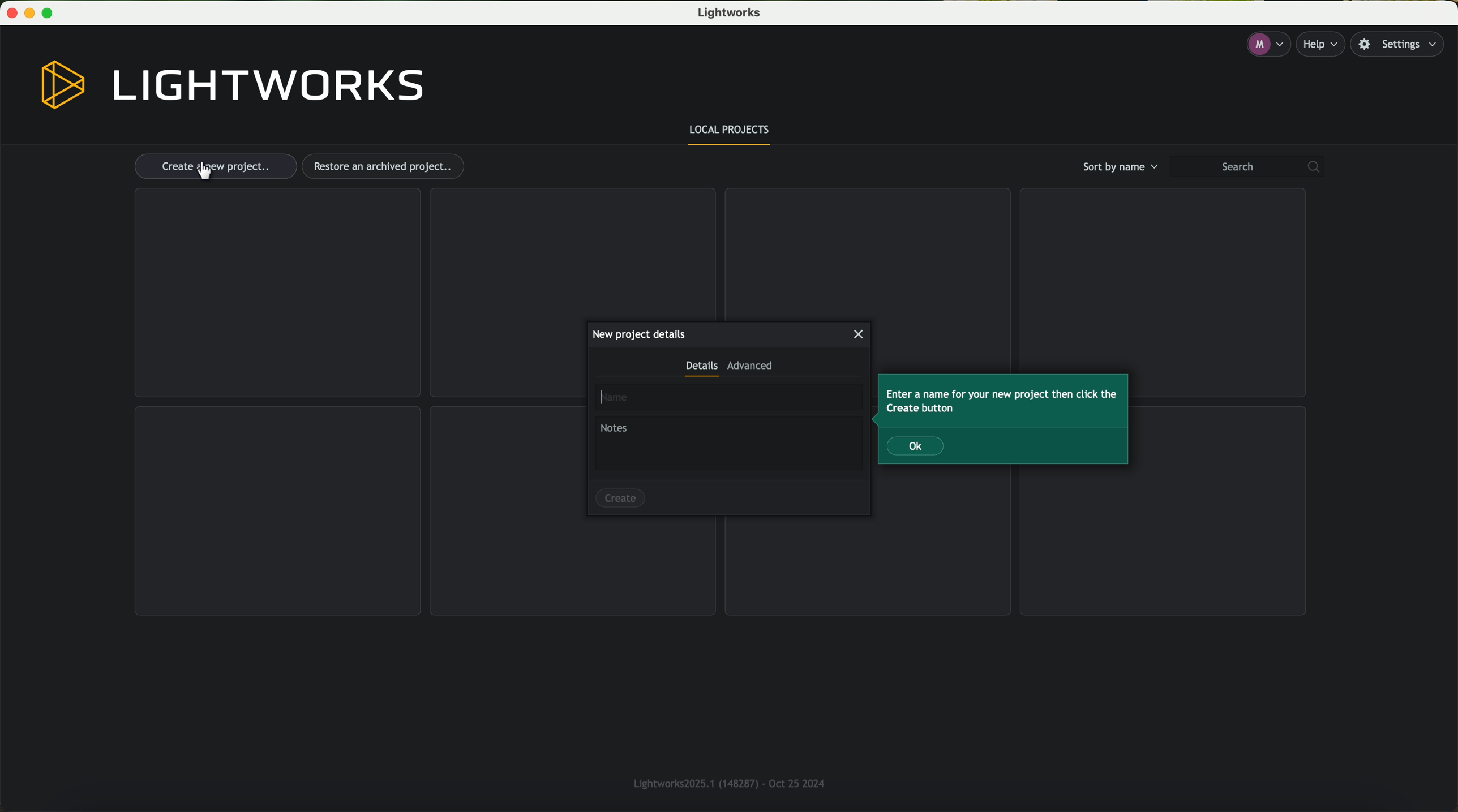 This screenshot has width=1458, height=812. I want to click on new project details, so click(638, 334).